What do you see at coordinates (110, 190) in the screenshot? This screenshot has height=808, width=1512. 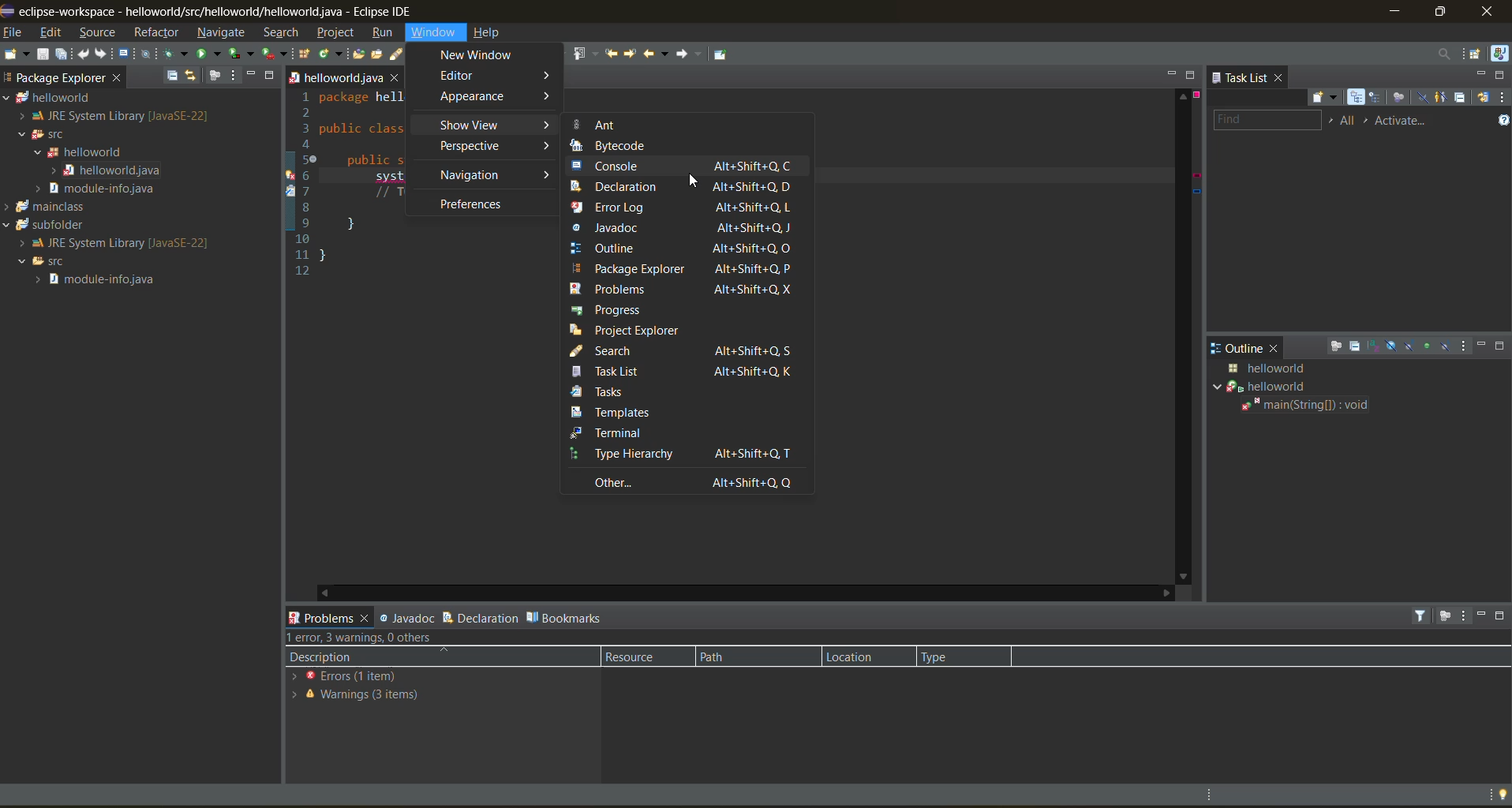 I see `modules info java` at bounding box center [110, 190].